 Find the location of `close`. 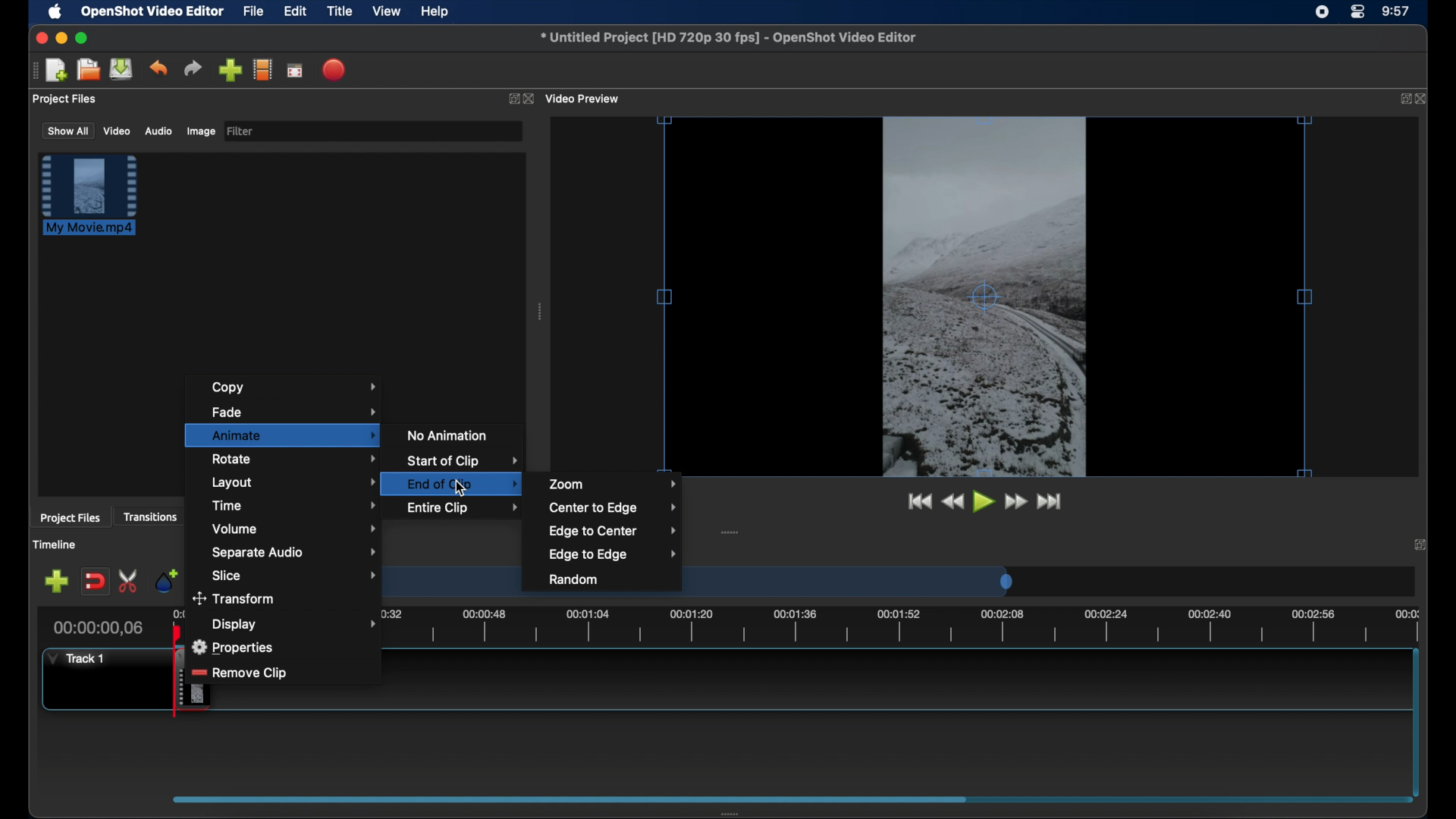

close is located at coordinates (531, 99).